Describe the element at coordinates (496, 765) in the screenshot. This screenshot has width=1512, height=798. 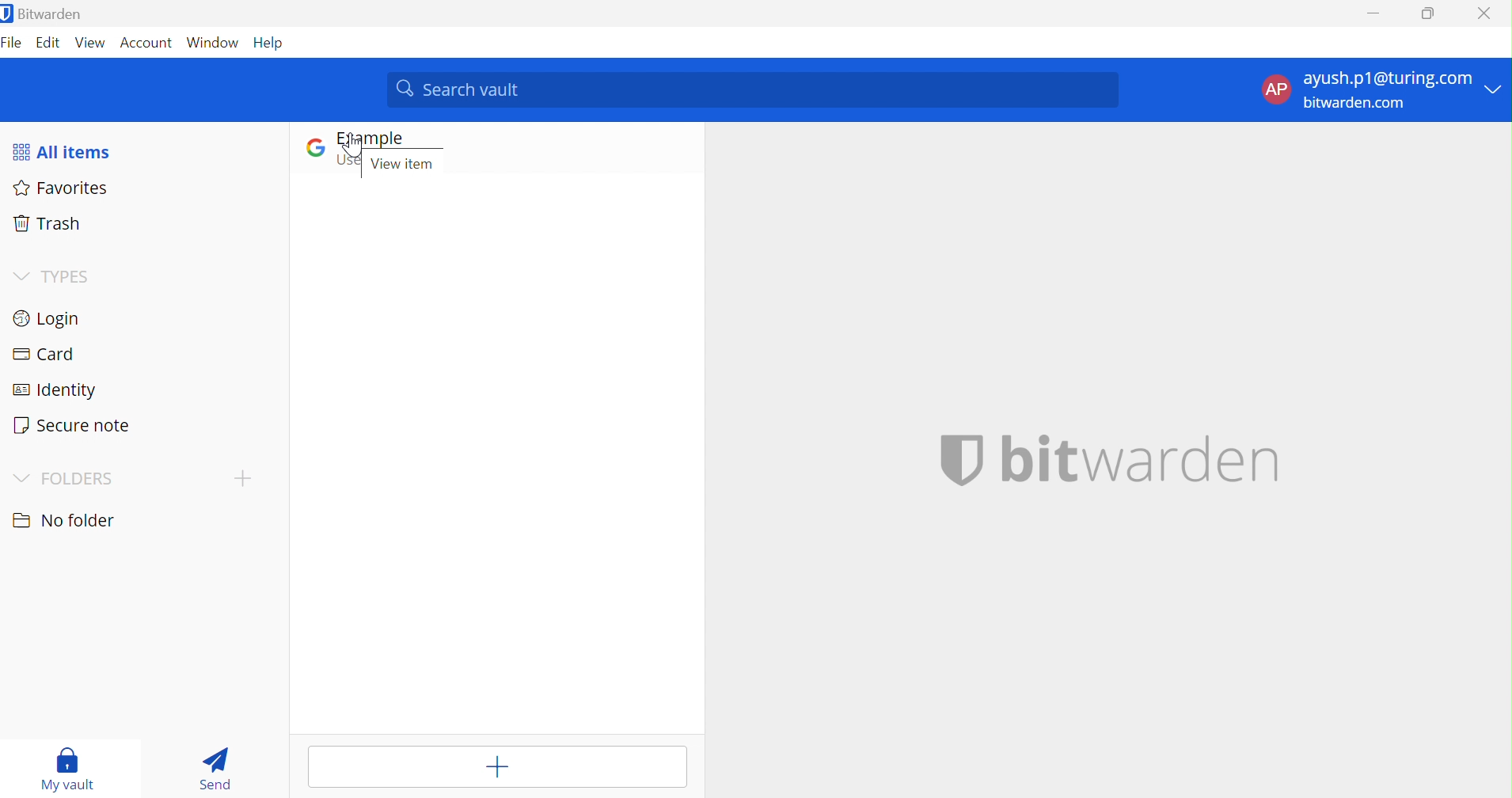
I see `Add item` at that location.